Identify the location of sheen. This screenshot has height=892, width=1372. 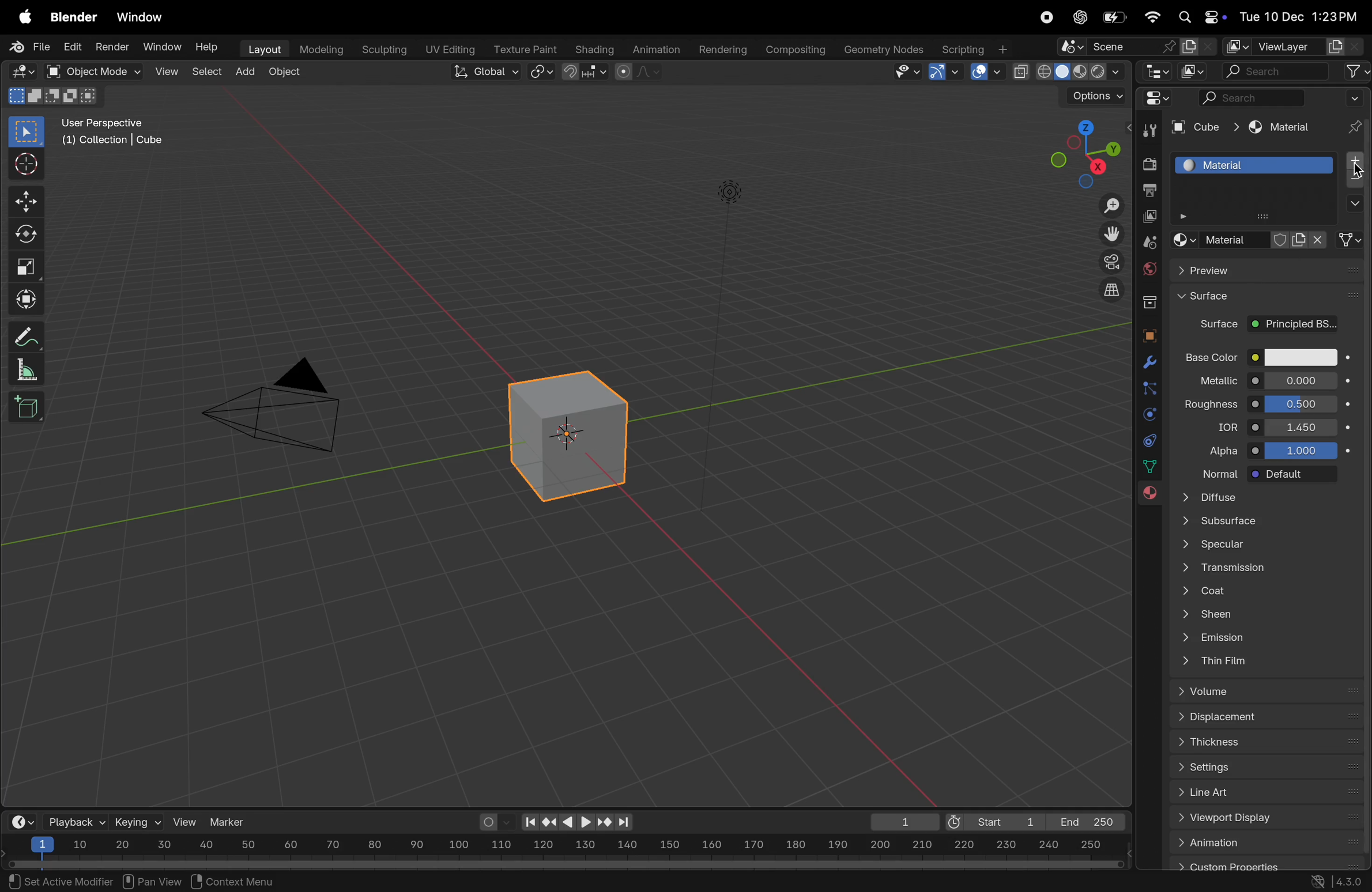
(1235, 614).